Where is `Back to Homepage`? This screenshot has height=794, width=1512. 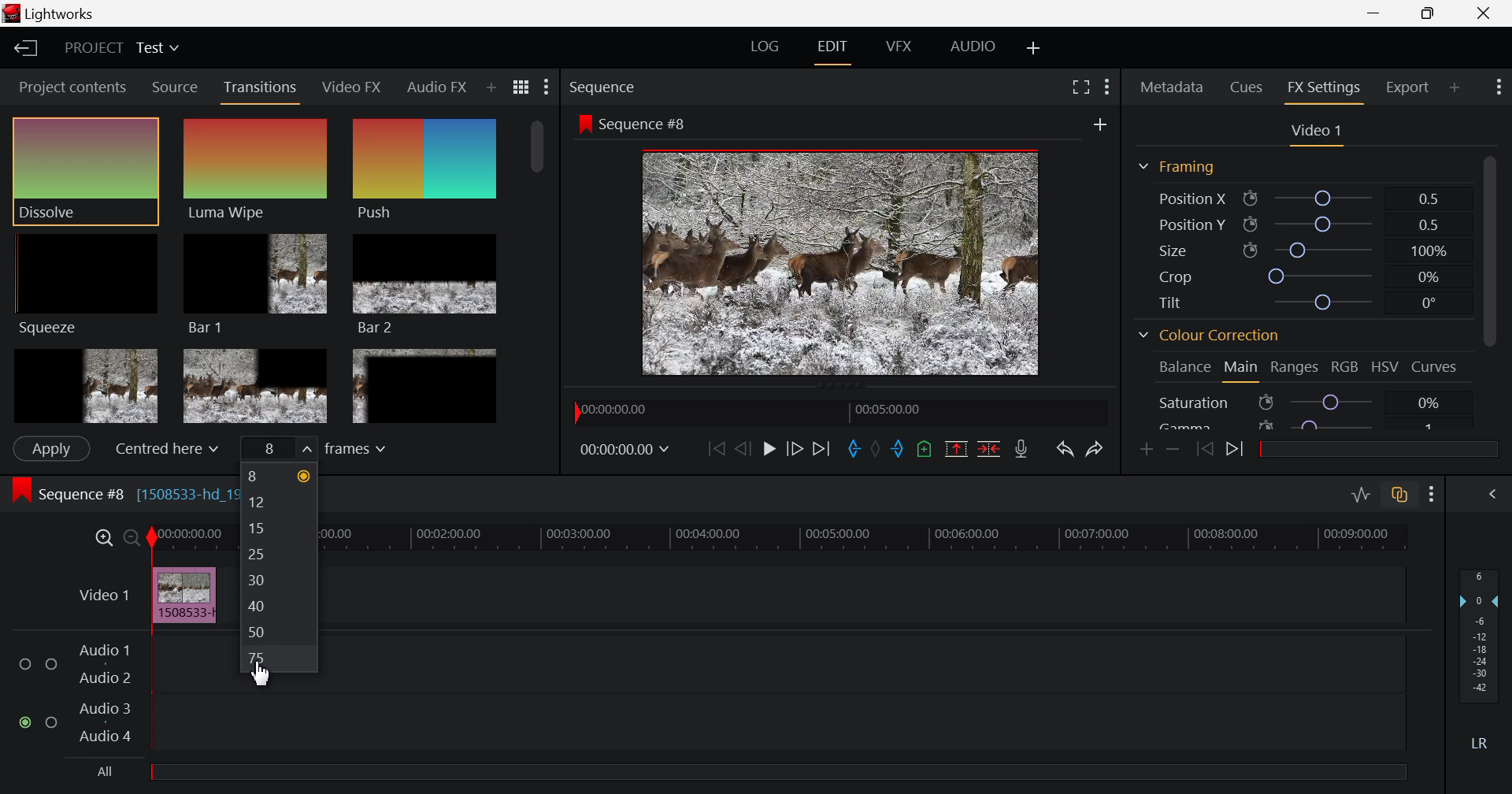 Back to Homepage is located at coordinates (24, 49).